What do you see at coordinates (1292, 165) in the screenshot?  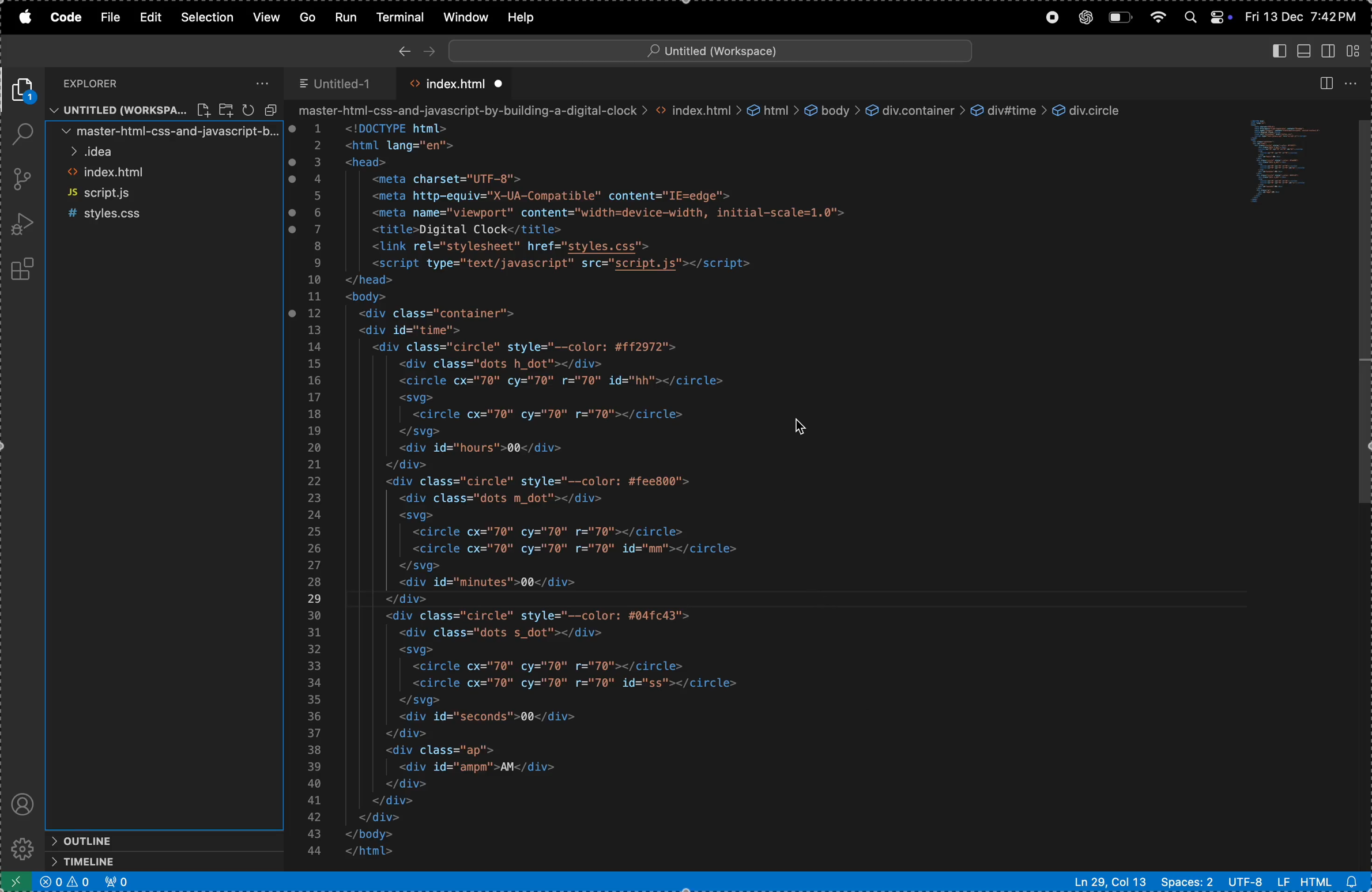 I see `code block` at bounding box center [1292, 165].